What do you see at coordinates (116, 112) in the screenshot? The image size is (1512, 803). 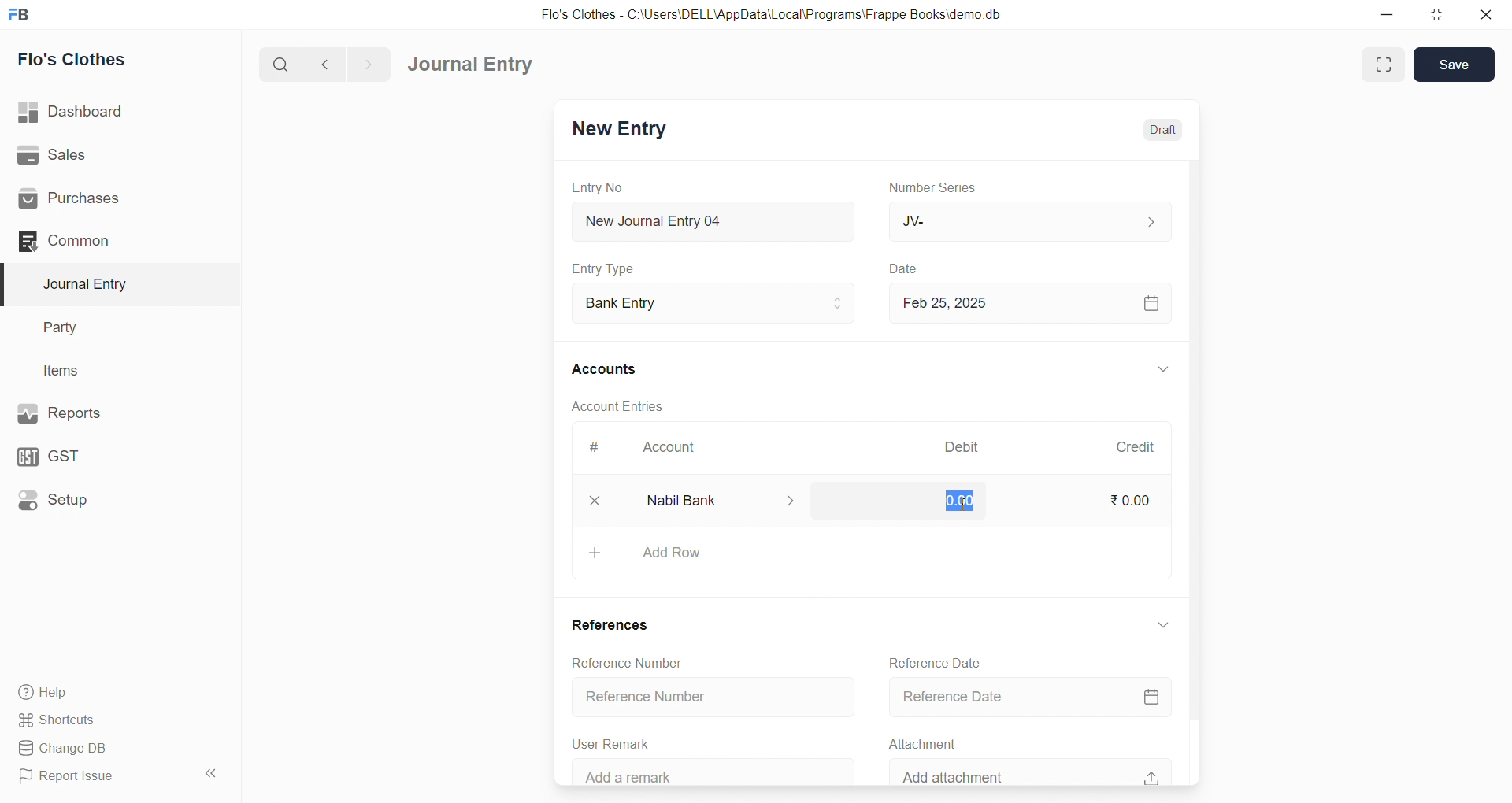 I see `Dashboard` at bounding box center [116, 112].